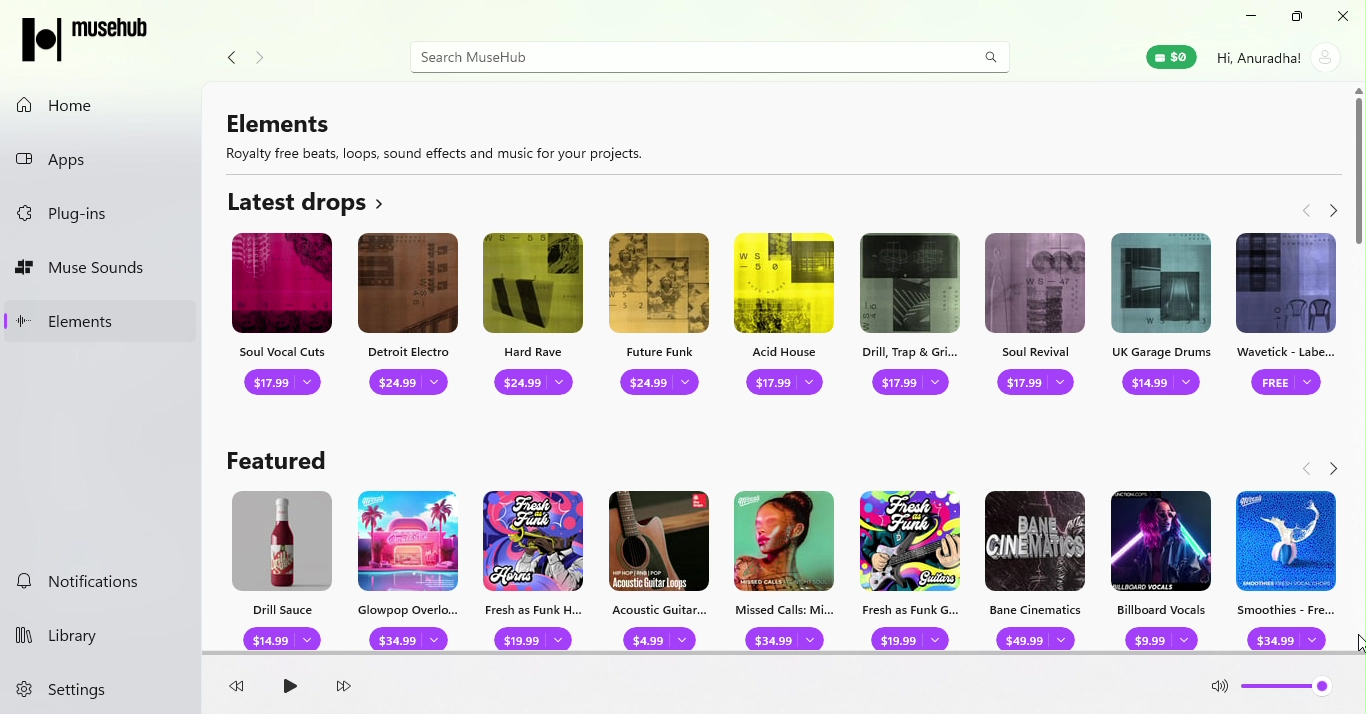 The height and width of the screenshot is (714, 1366). Describe the element at coordinates (444, 134) in the screenshot. I see `Elements` at that location.